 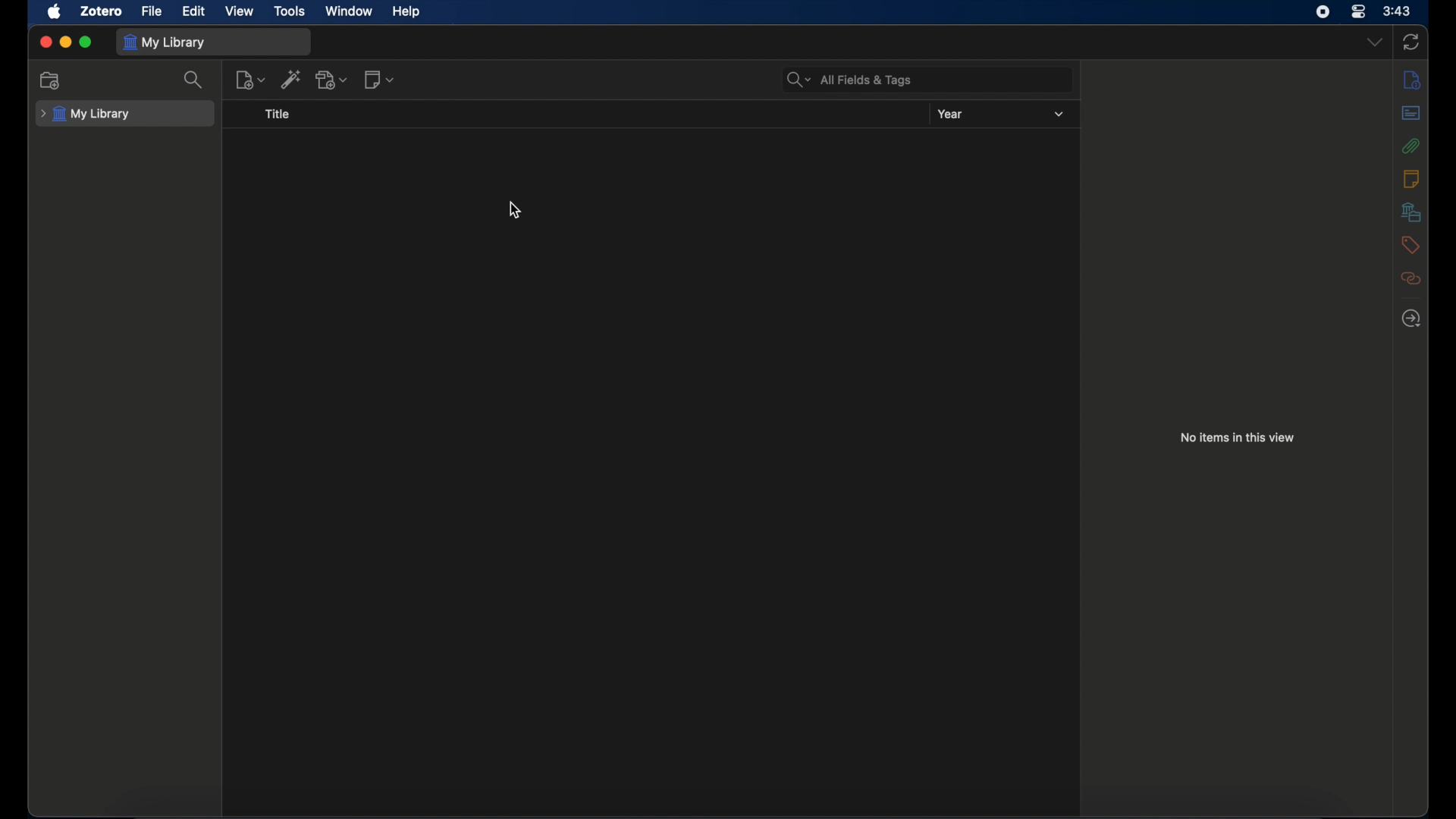 I want to click on screen recorder, so click(x=1323, y=12).